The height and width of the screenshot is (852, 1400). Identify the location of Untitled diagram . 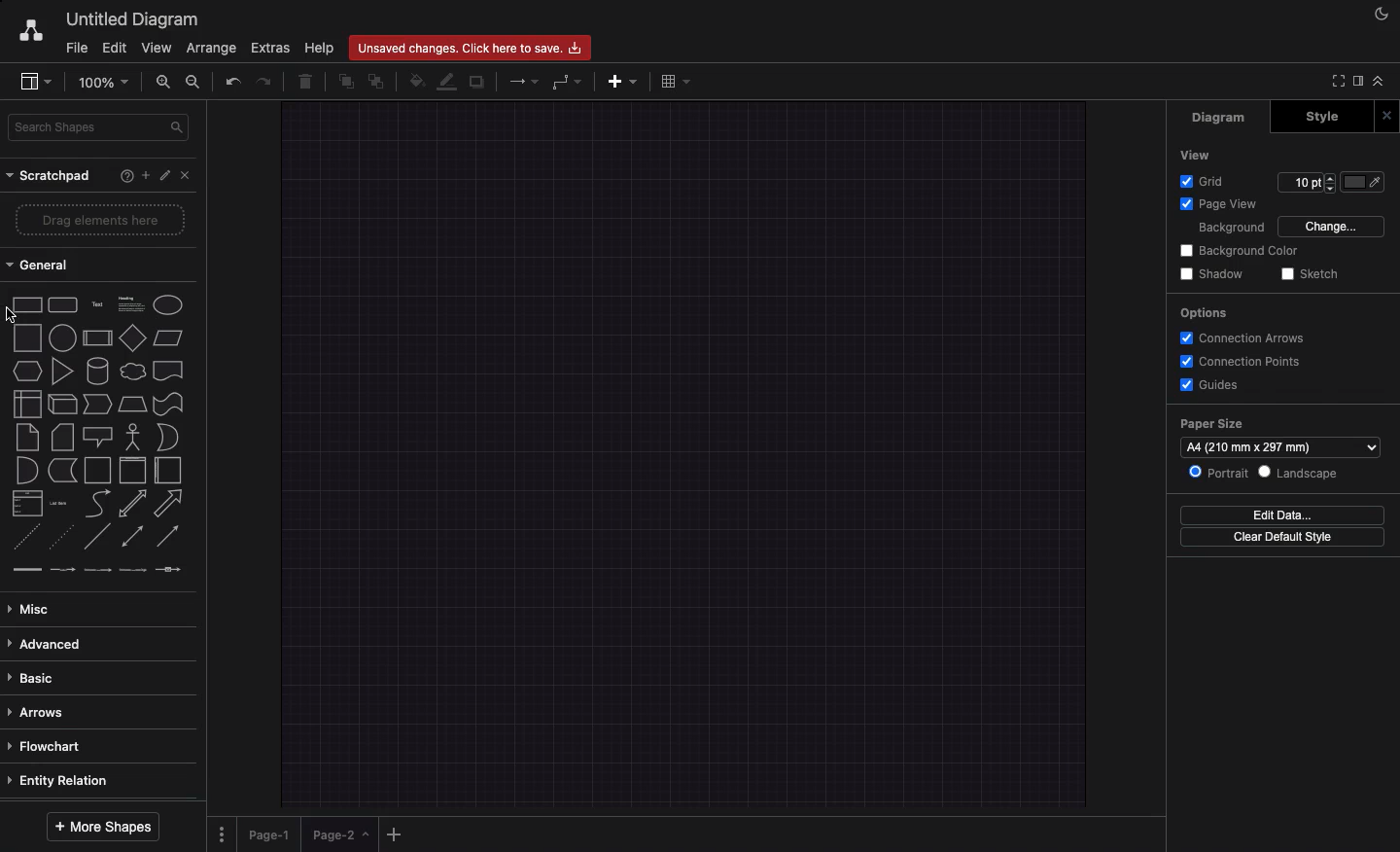
(134, 17).